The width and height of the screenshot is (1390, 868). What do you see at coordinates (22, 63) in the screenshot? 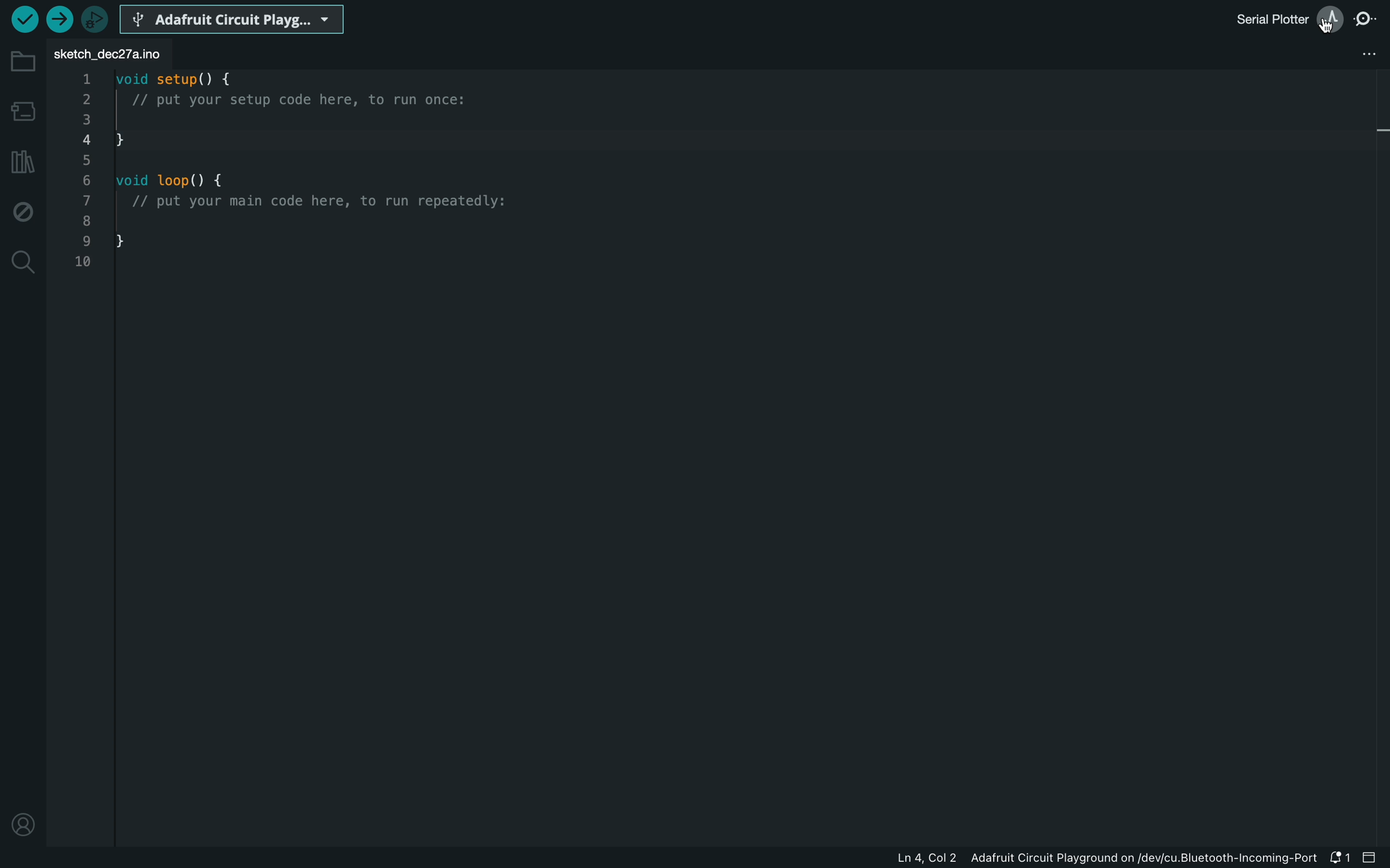
I see `folder` at bounding box center [22, 63].